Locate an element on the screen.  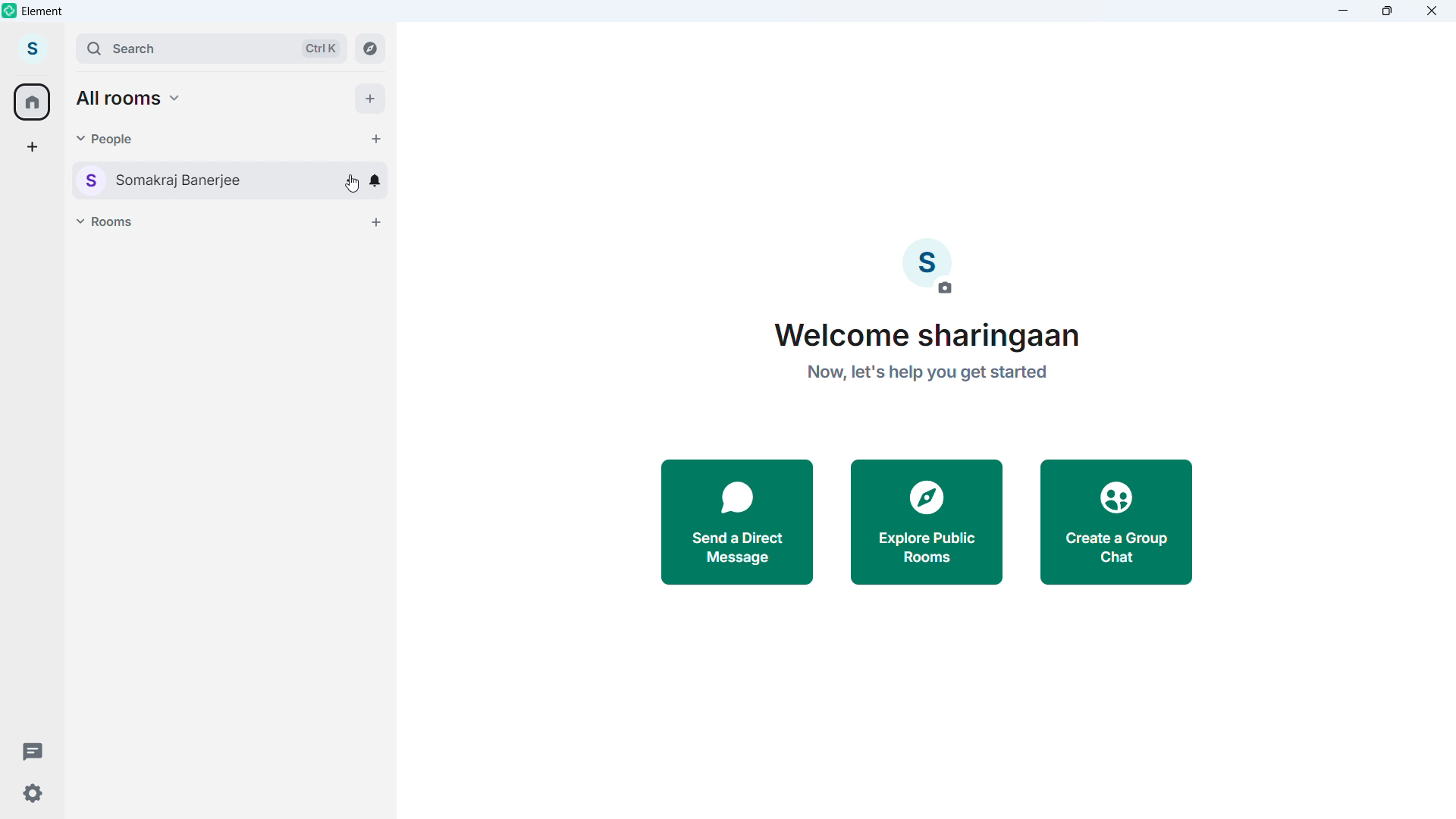
Home  is located at coordinates (33, 102).